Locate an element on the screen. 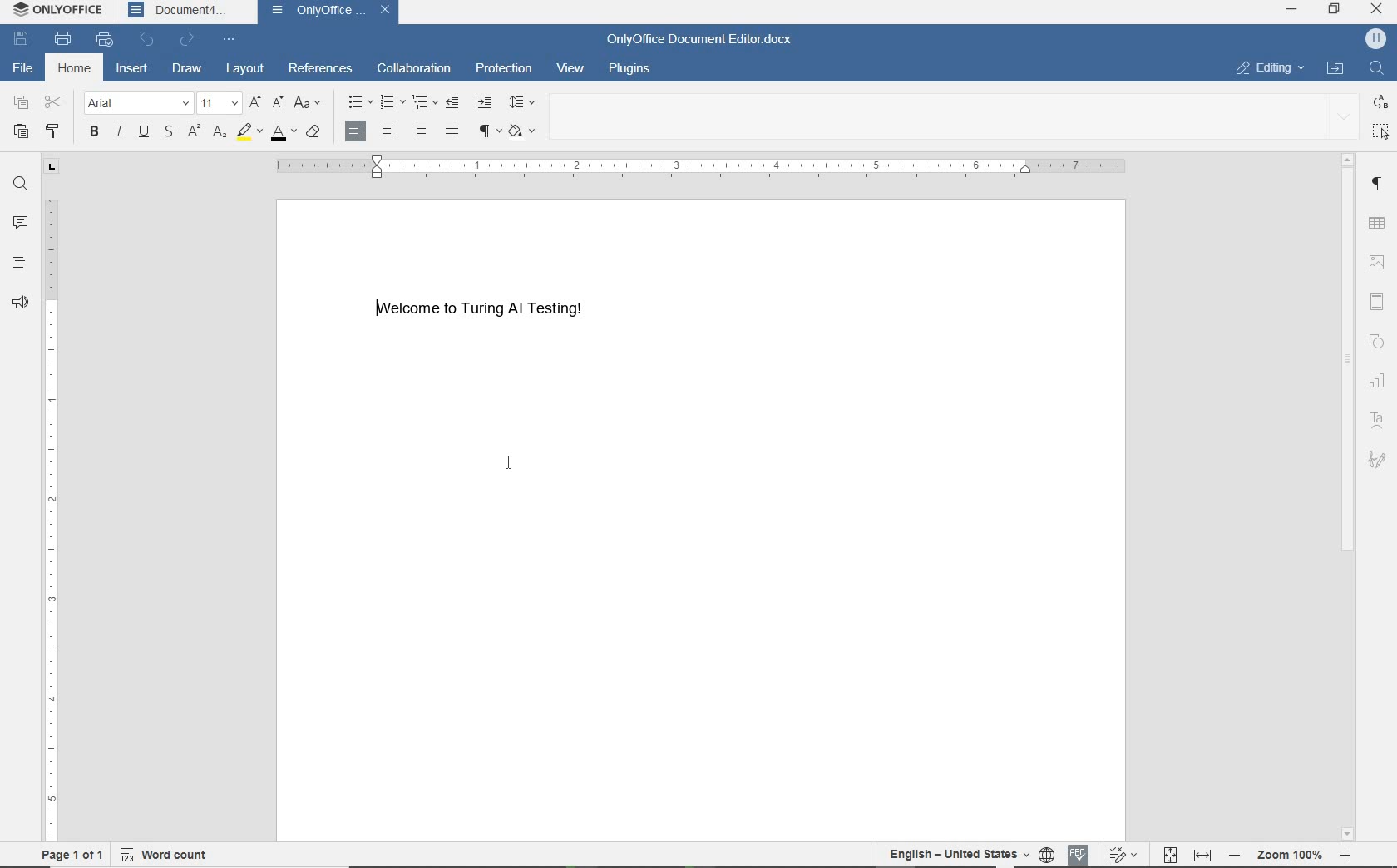  align right is located at coordinates (420, 131).